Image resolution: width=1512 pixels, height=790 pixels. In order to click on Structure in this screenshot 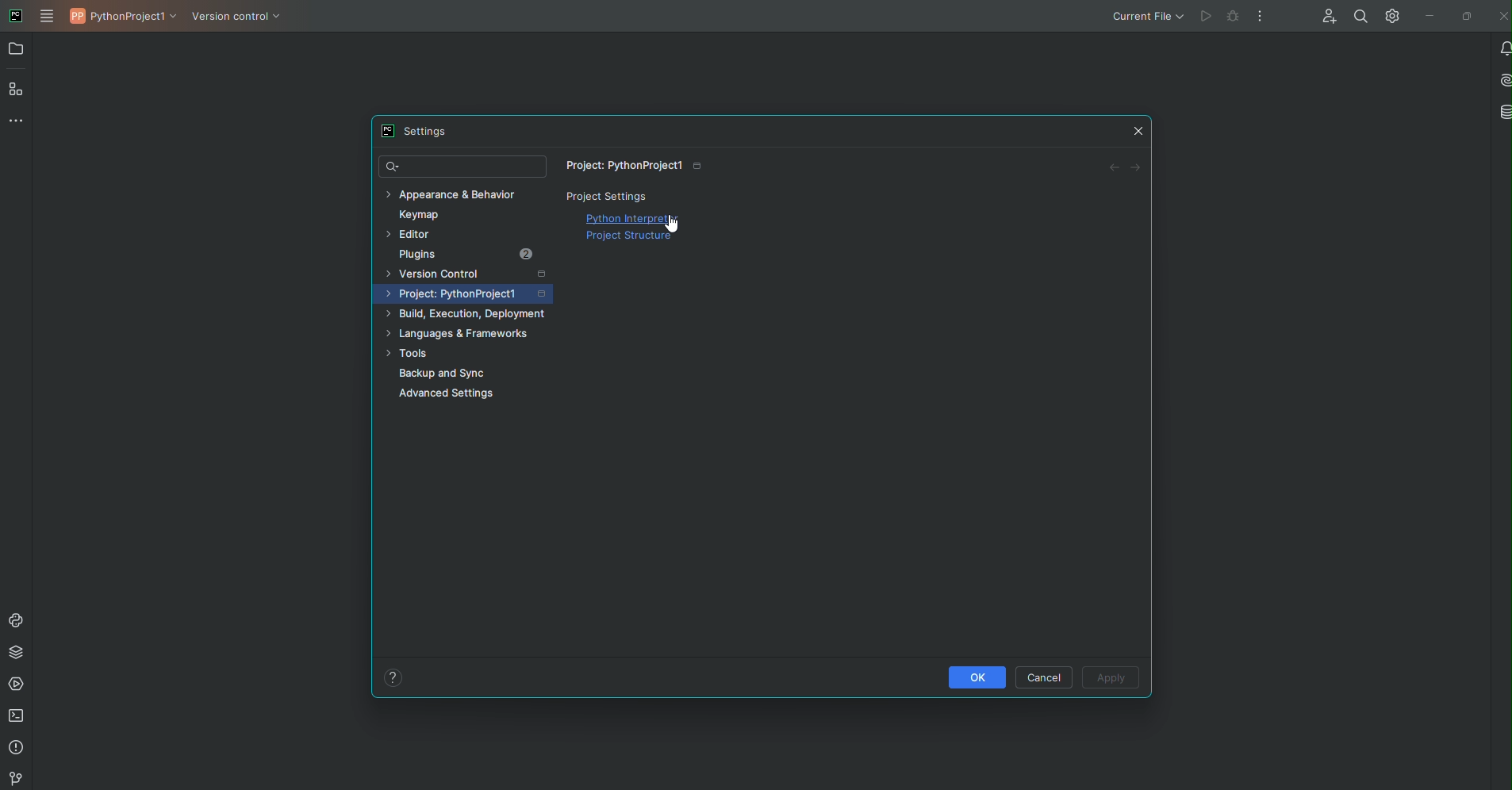, I will do `click(631, 240)`.